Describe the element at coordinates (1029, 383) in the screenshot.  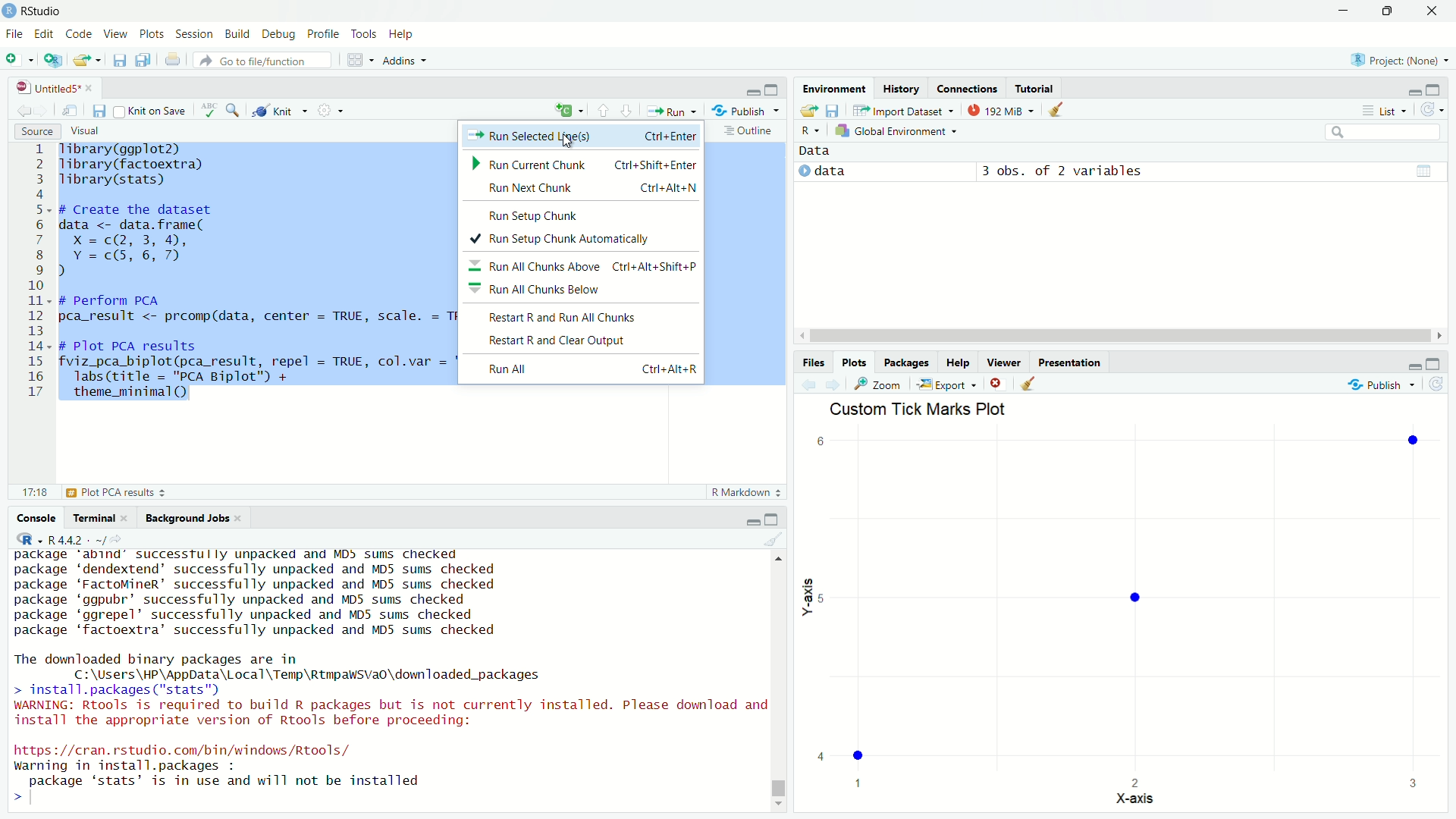
I see `clear all plots` at that location.